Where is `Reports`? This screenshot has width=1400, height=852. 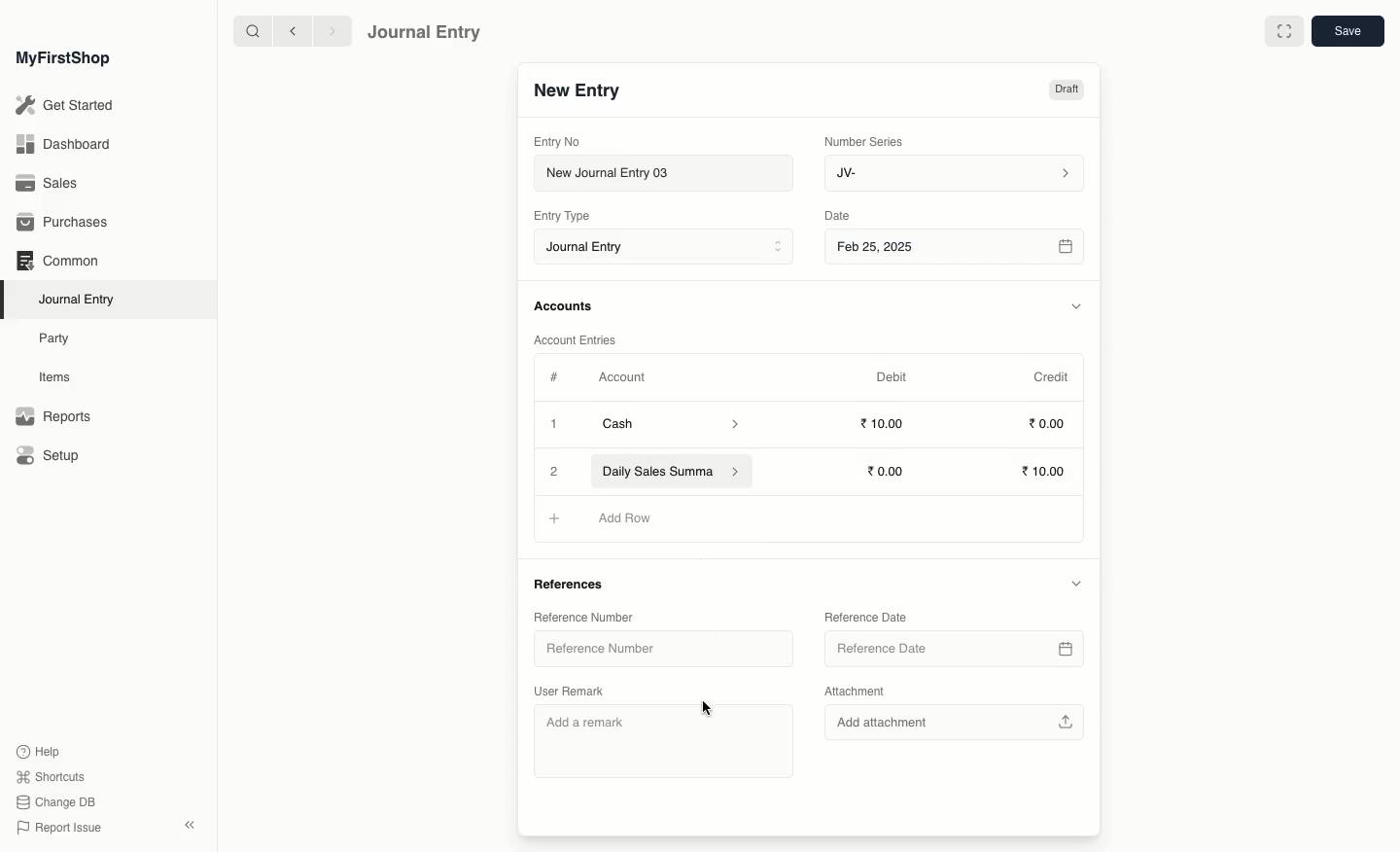
Reports is located at coordinates (52, 417).